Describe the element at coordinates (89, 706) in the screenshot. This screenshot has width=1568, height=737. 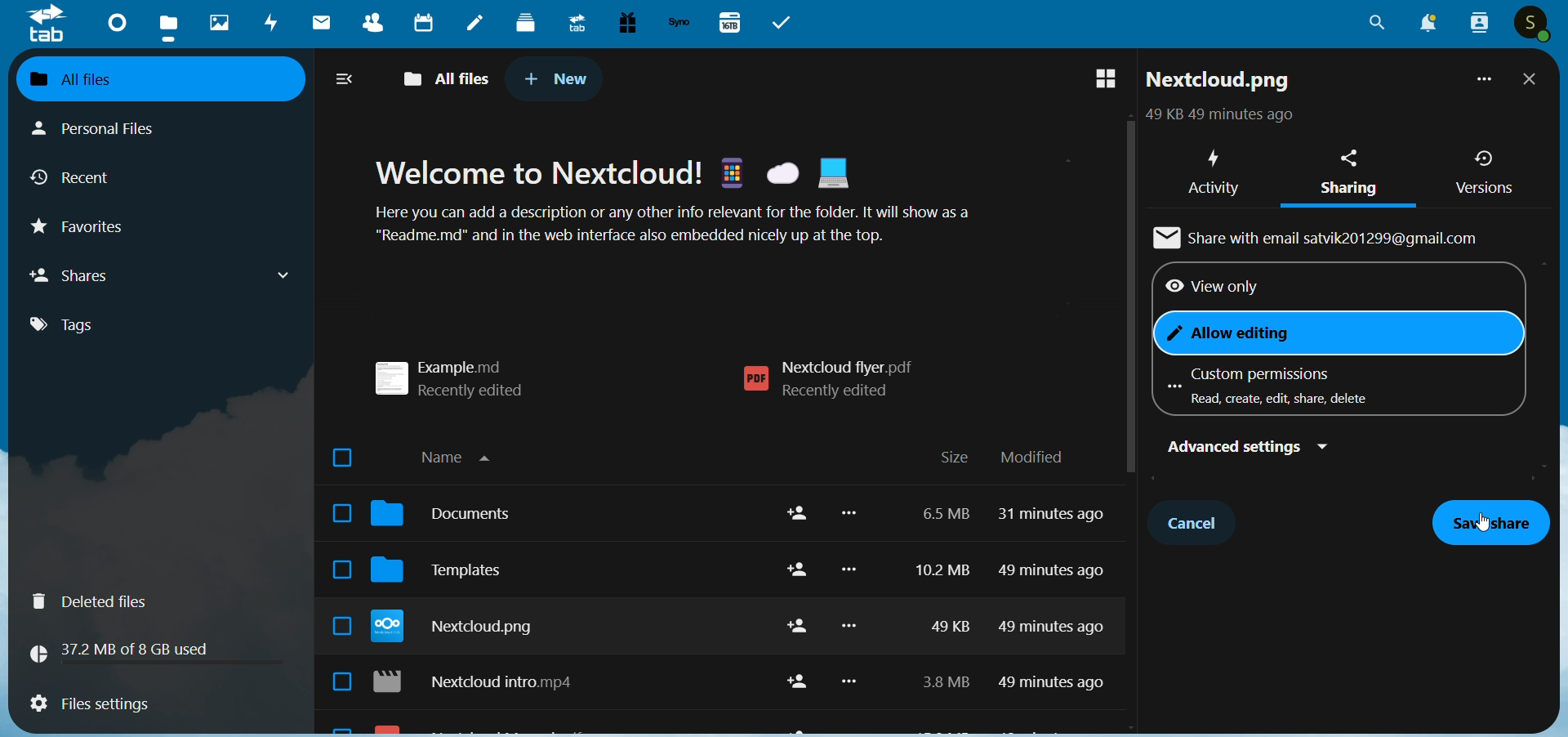
I see `files setting` at that location.